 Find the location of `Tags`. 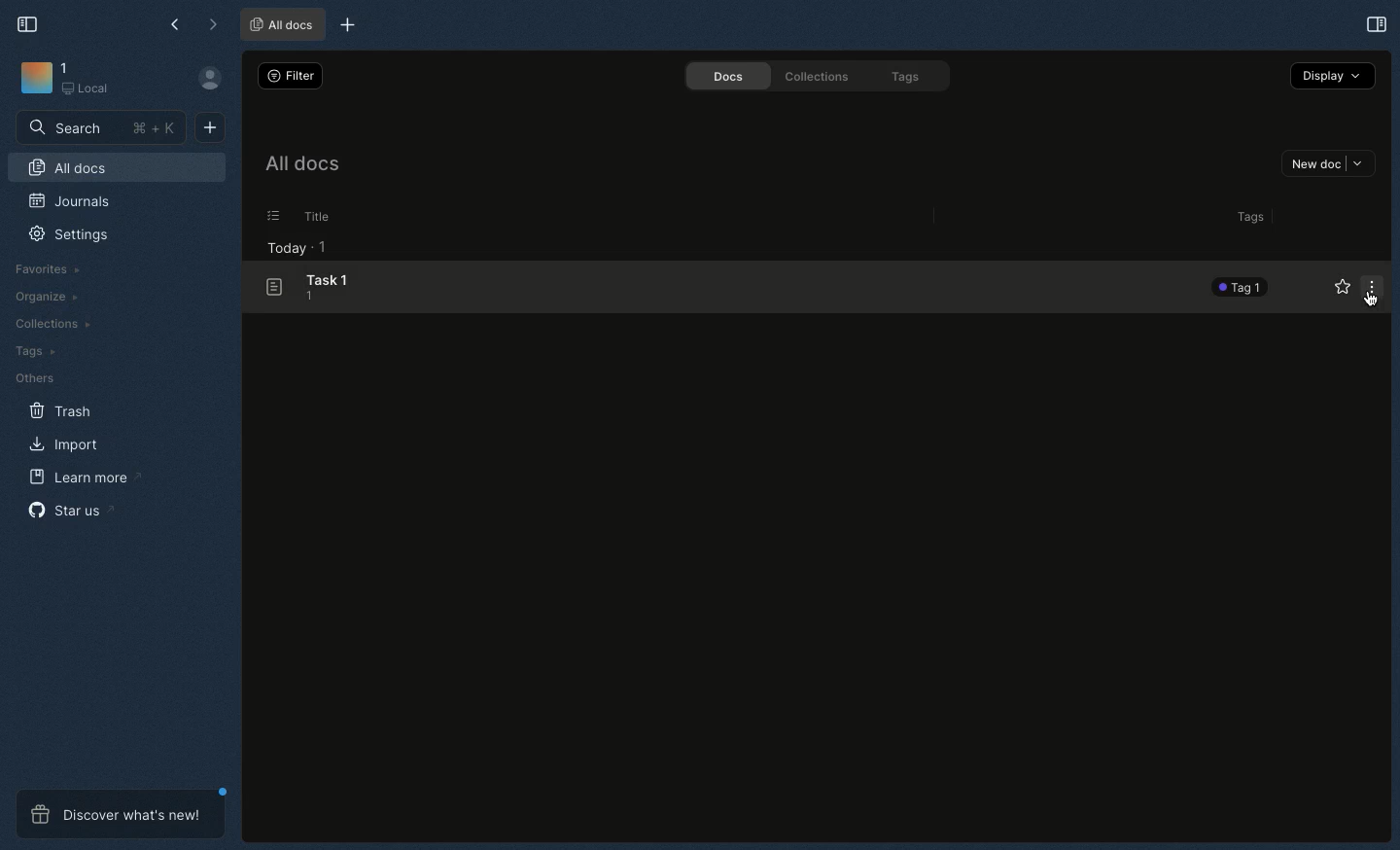

Tags is located at coordinates (29, 351).